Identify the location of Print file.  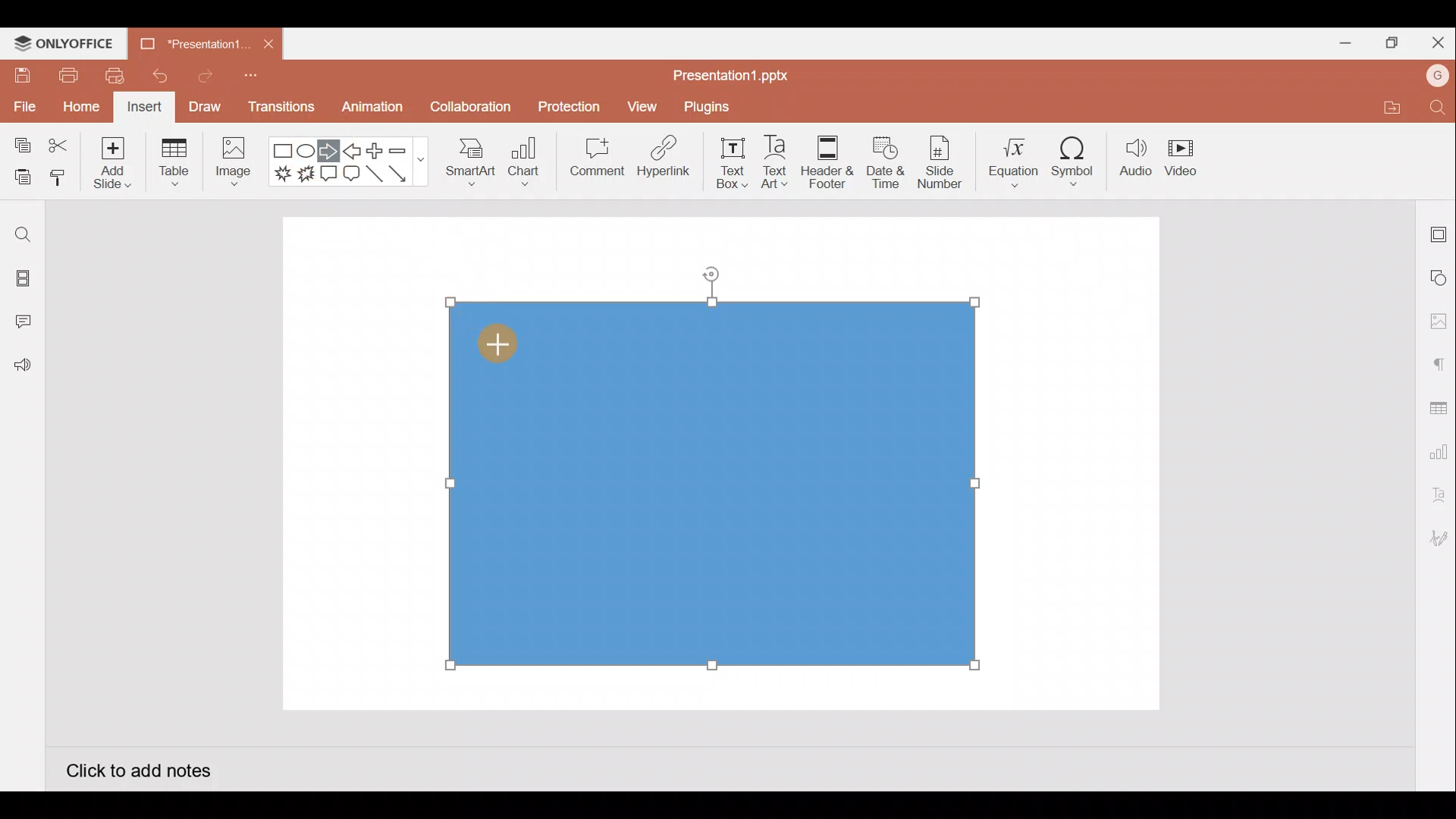
(67, 74).